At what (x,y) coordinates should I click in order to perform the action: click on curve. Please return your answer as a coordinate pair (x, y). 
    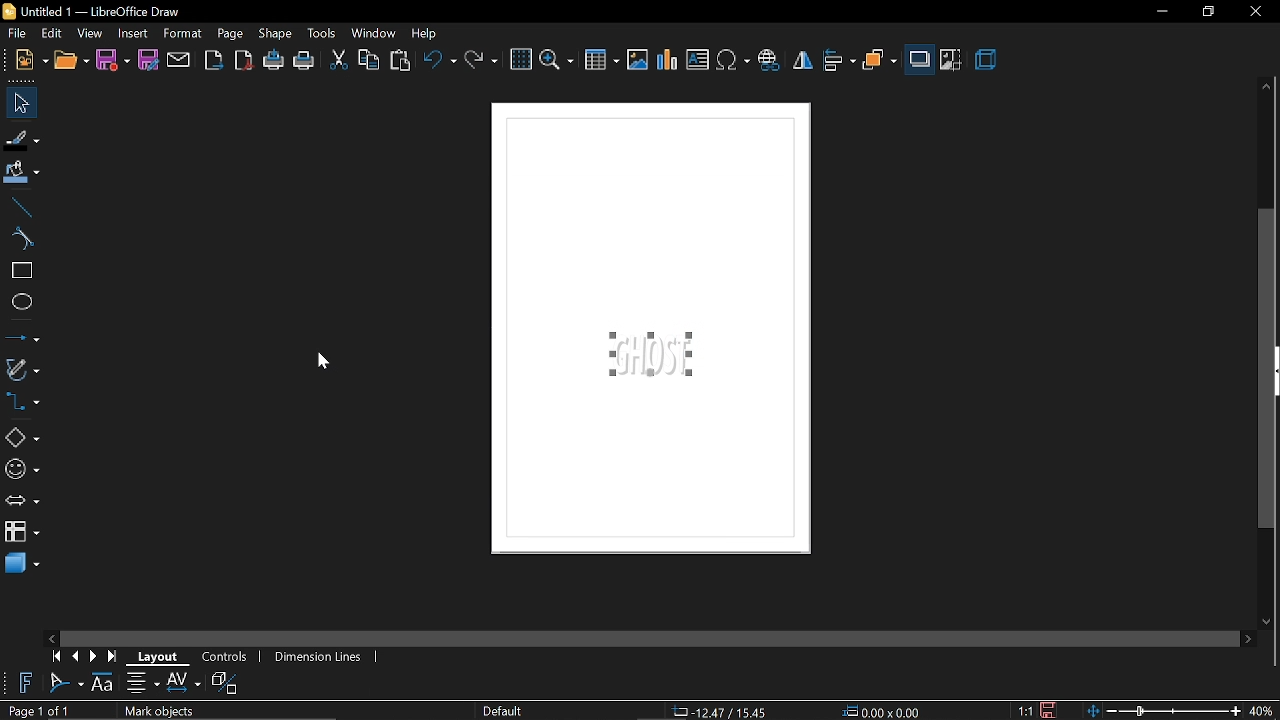
    Looking at the image, I should click on (18, 240).